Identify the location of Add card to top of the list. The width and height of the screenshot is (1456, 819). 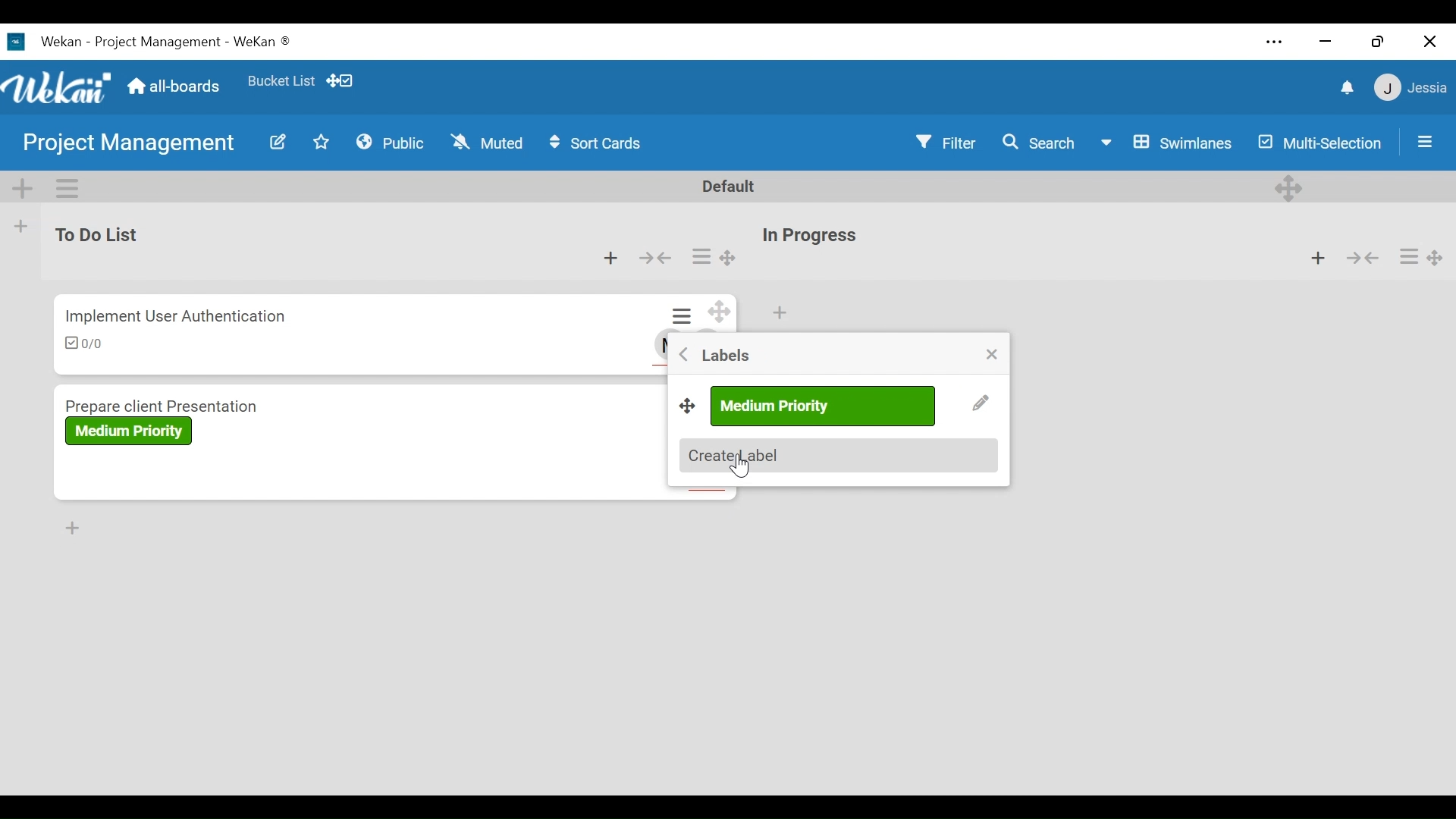
(611, 259).